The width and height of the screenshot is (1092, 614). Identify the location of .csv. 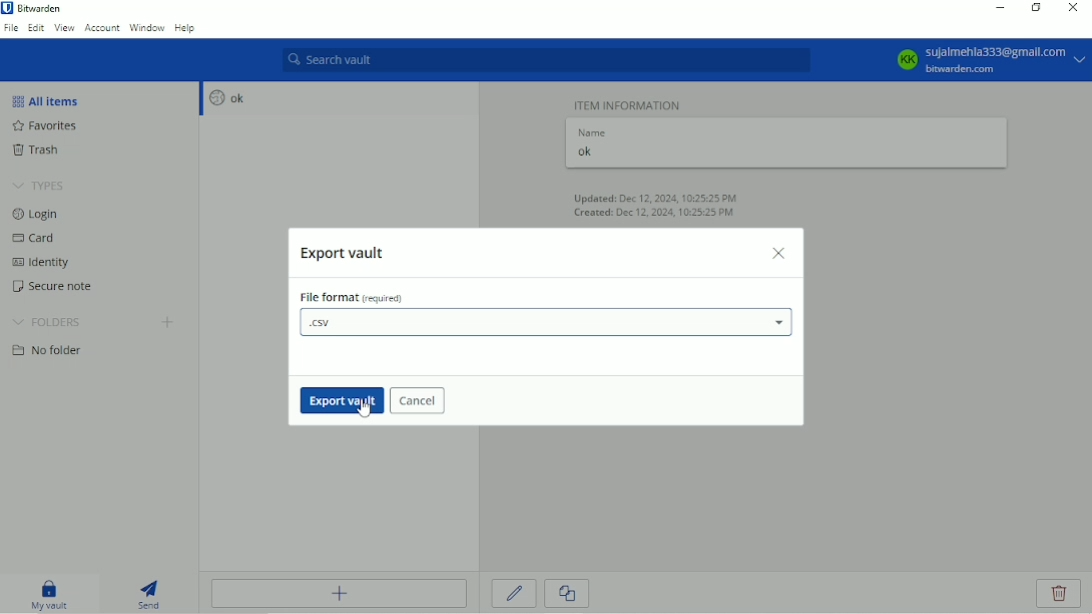
(546, 324).